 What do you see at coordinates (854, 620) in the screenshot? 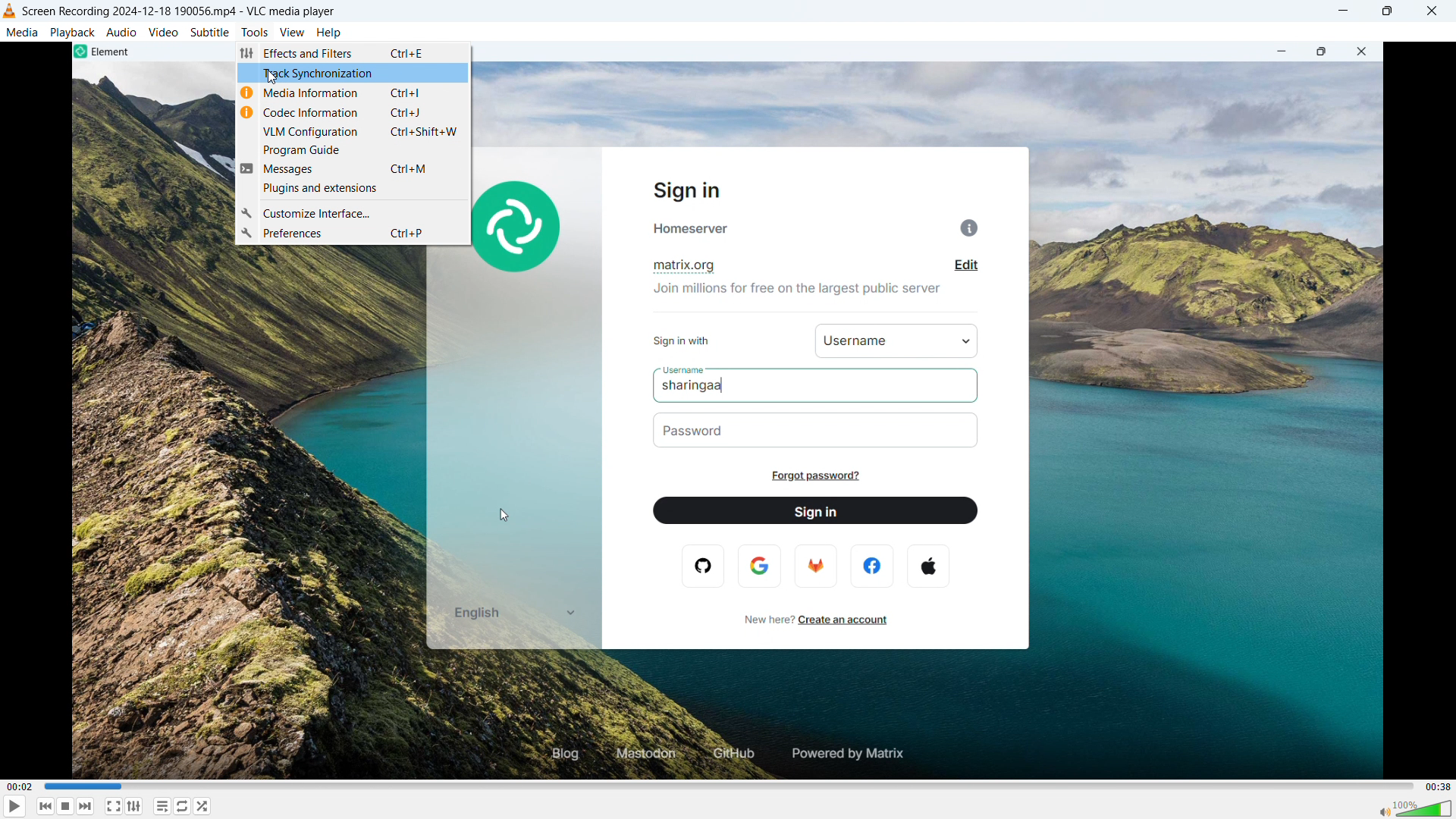
I see `create an account` at bounding box center [854, 620].